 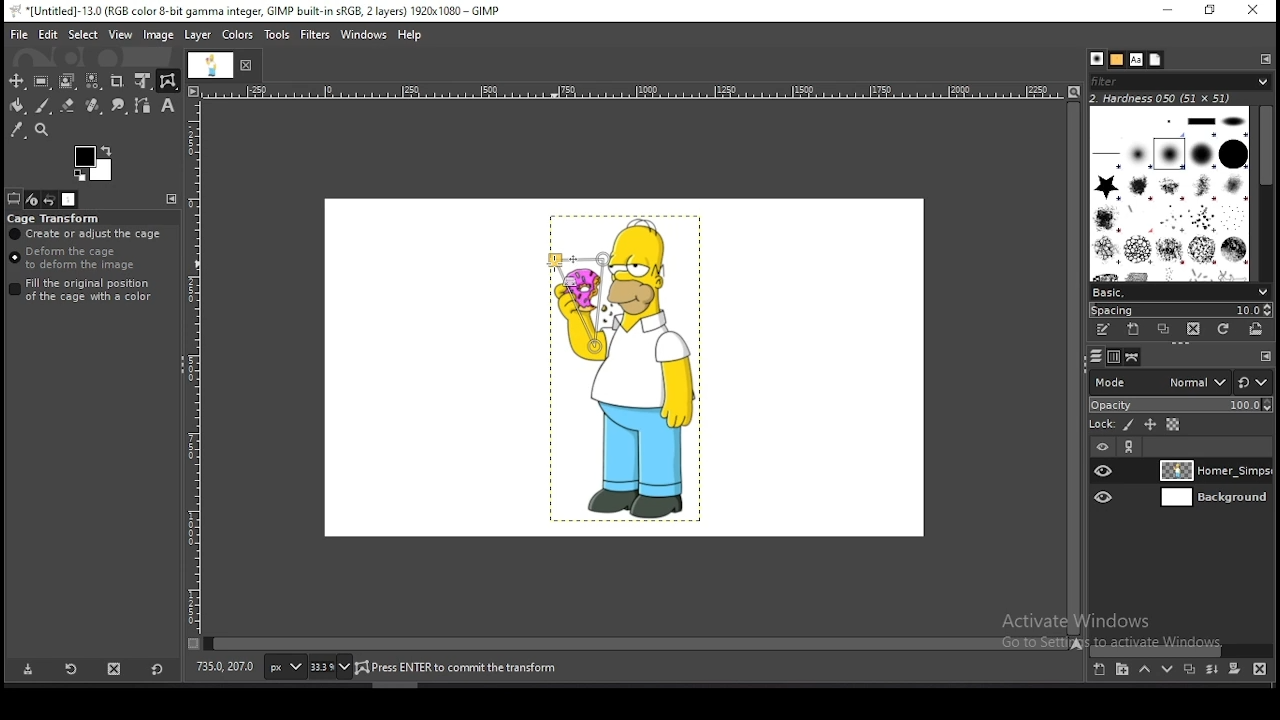 What do you see at coordinates (87, 234) in the screenshot?
I see `create or adjust cage` at bounding box center [87, 234].